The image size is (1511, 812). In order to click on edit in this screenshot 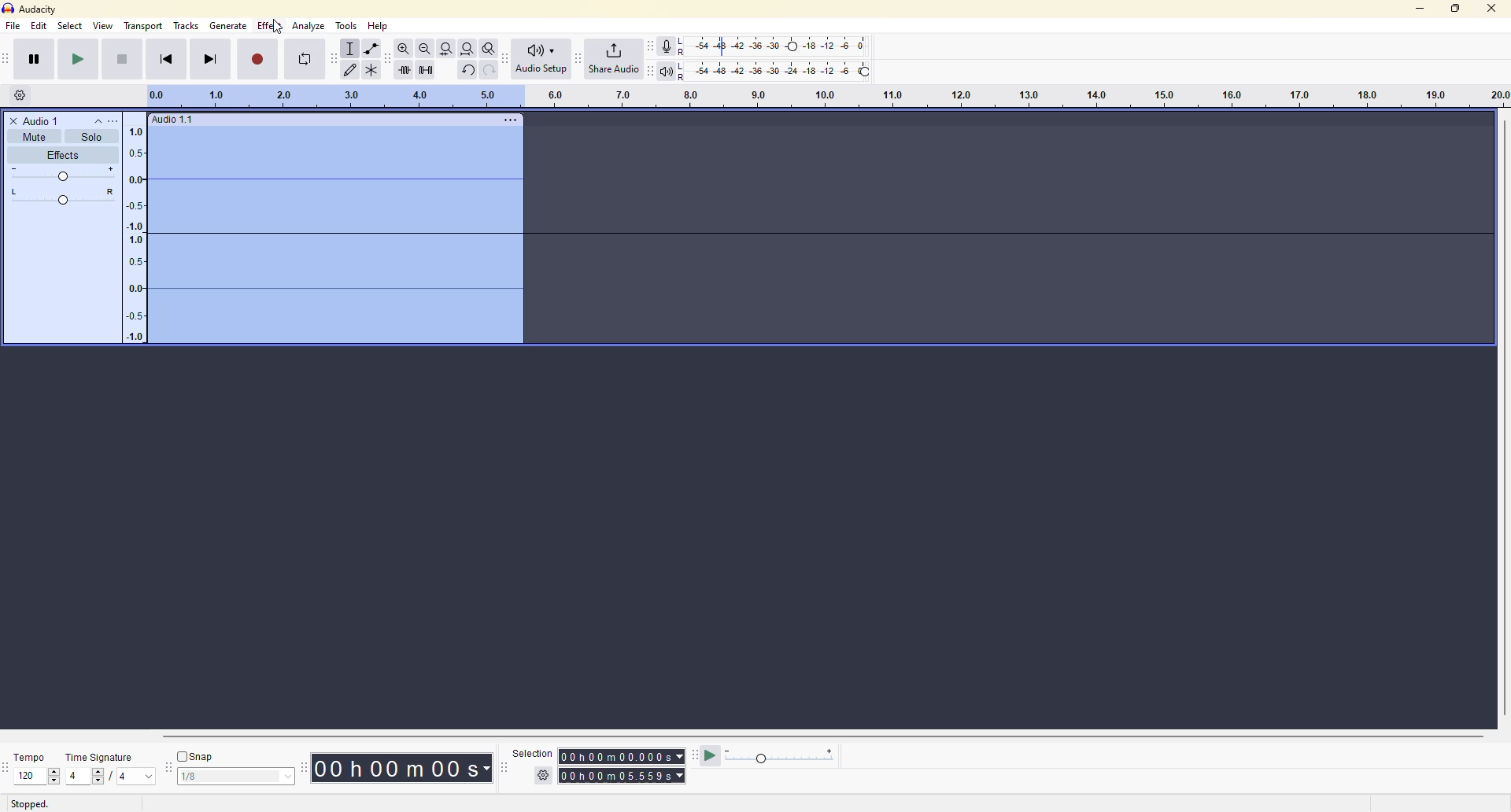, I will do `click(39, 26)`.